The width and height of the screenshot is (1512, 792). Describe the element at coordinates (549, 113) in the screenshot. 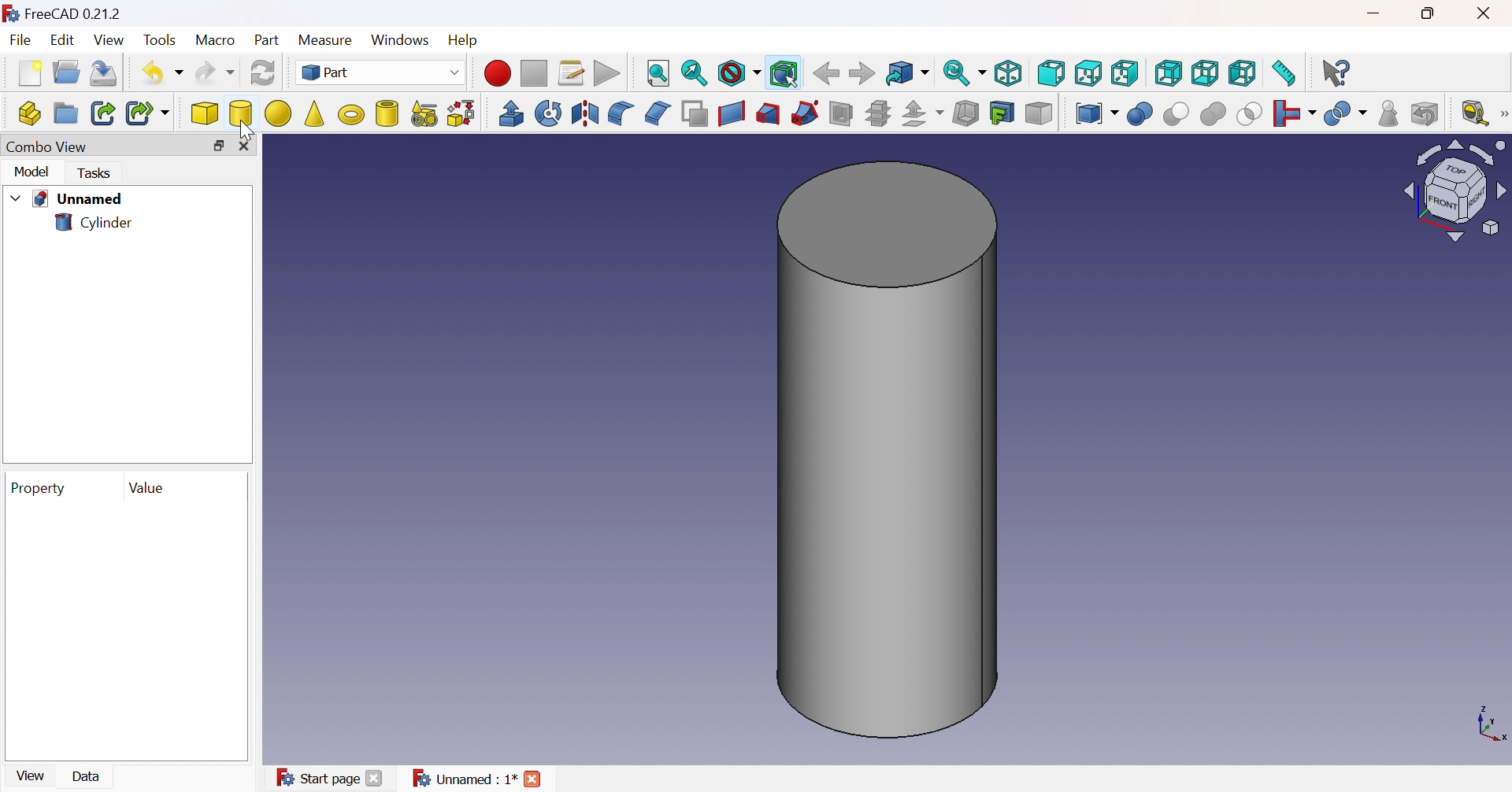

I see `Revolve` at that location.